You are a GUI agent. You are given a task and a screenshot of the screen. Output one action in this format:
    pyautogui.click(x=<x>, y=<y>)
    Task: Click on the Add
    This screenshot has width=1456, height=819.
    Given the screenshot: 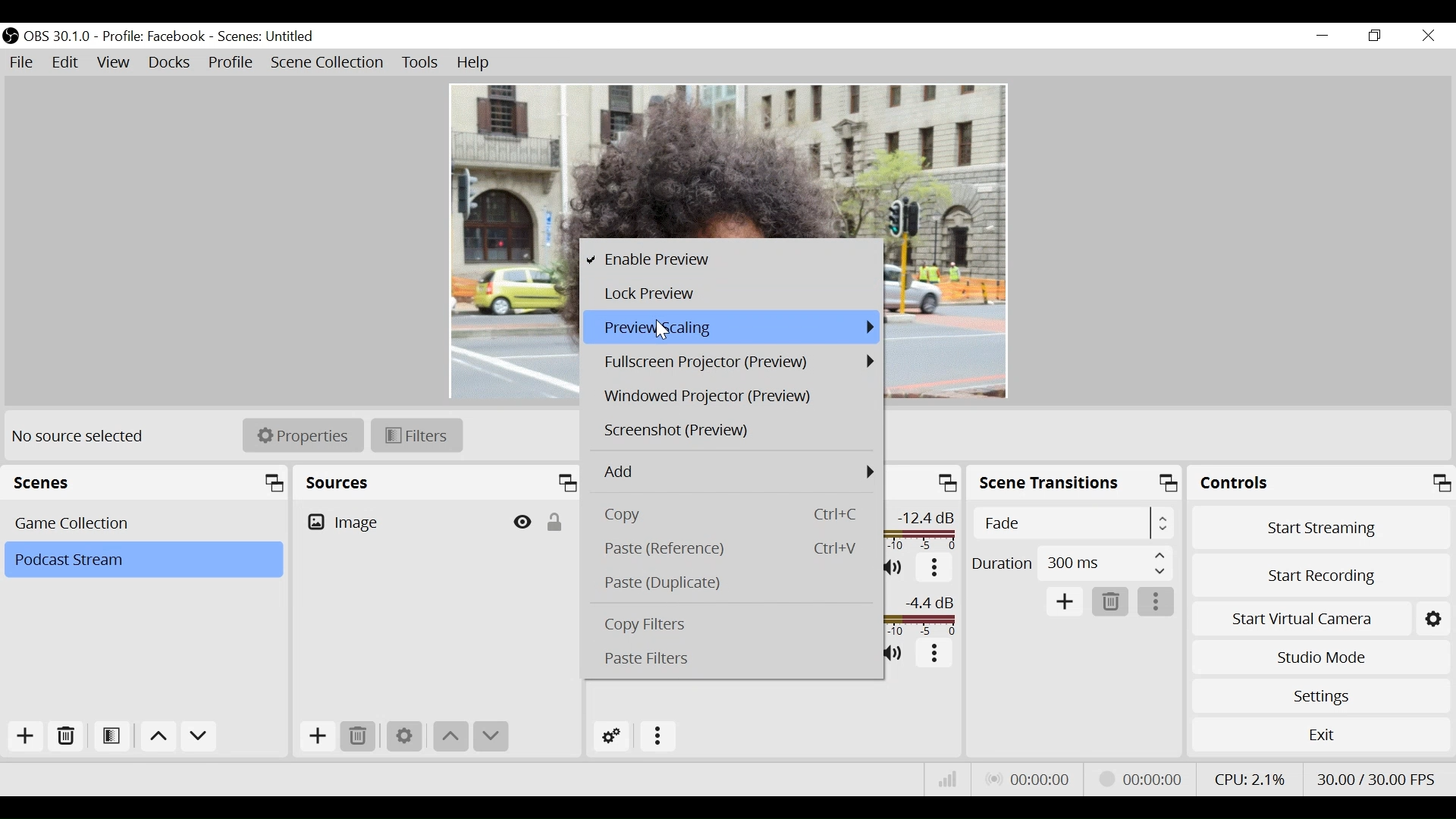 What is the action you would take?
    pyautogui.click(x=734, y=469)
    